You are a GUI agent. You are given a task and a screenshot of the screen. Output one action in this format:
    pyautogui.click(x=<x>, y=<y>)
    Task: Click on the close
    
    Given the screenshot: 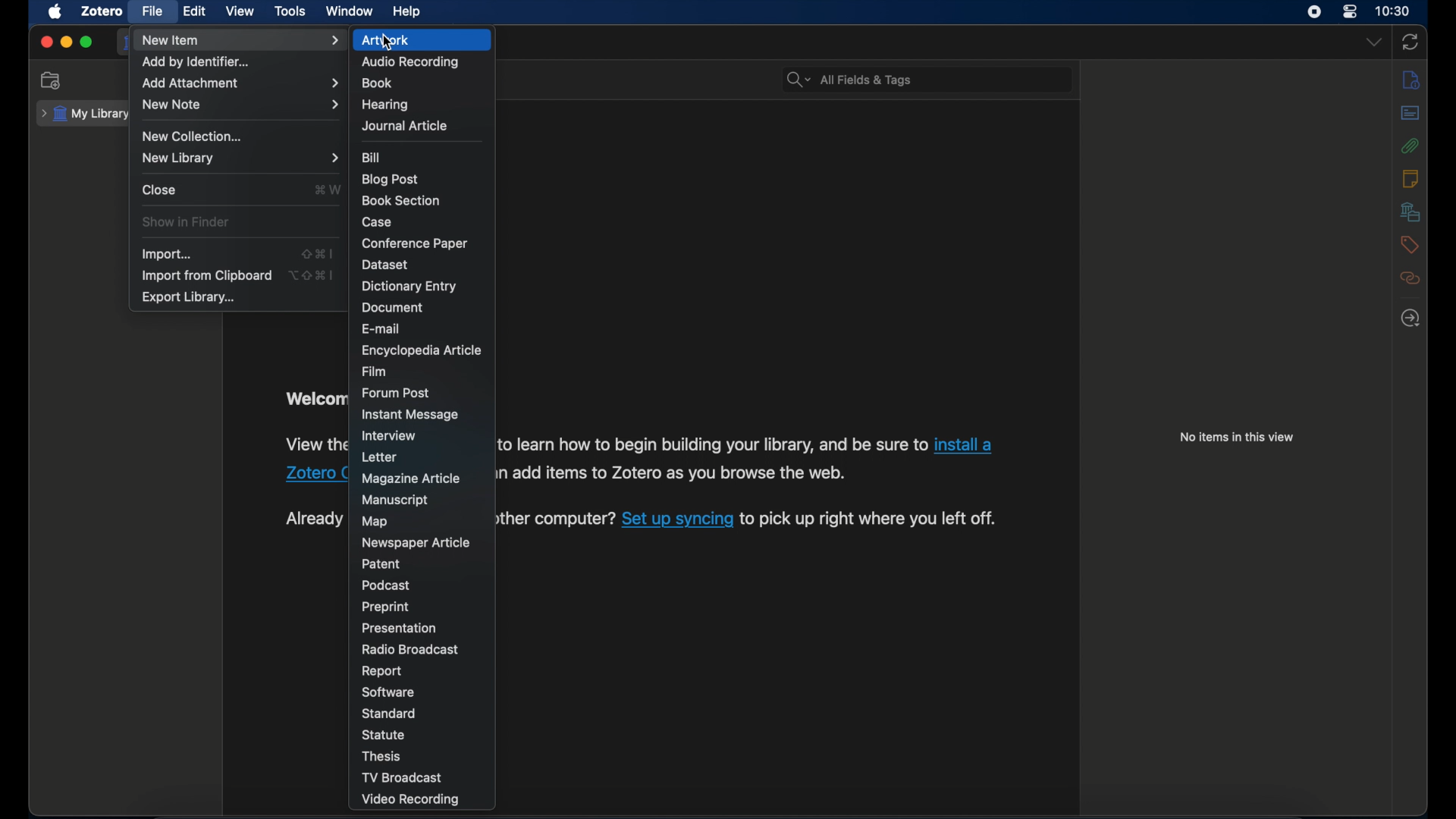 What is the action you would take?
    pyautogui.click(x=159, y=190)
    